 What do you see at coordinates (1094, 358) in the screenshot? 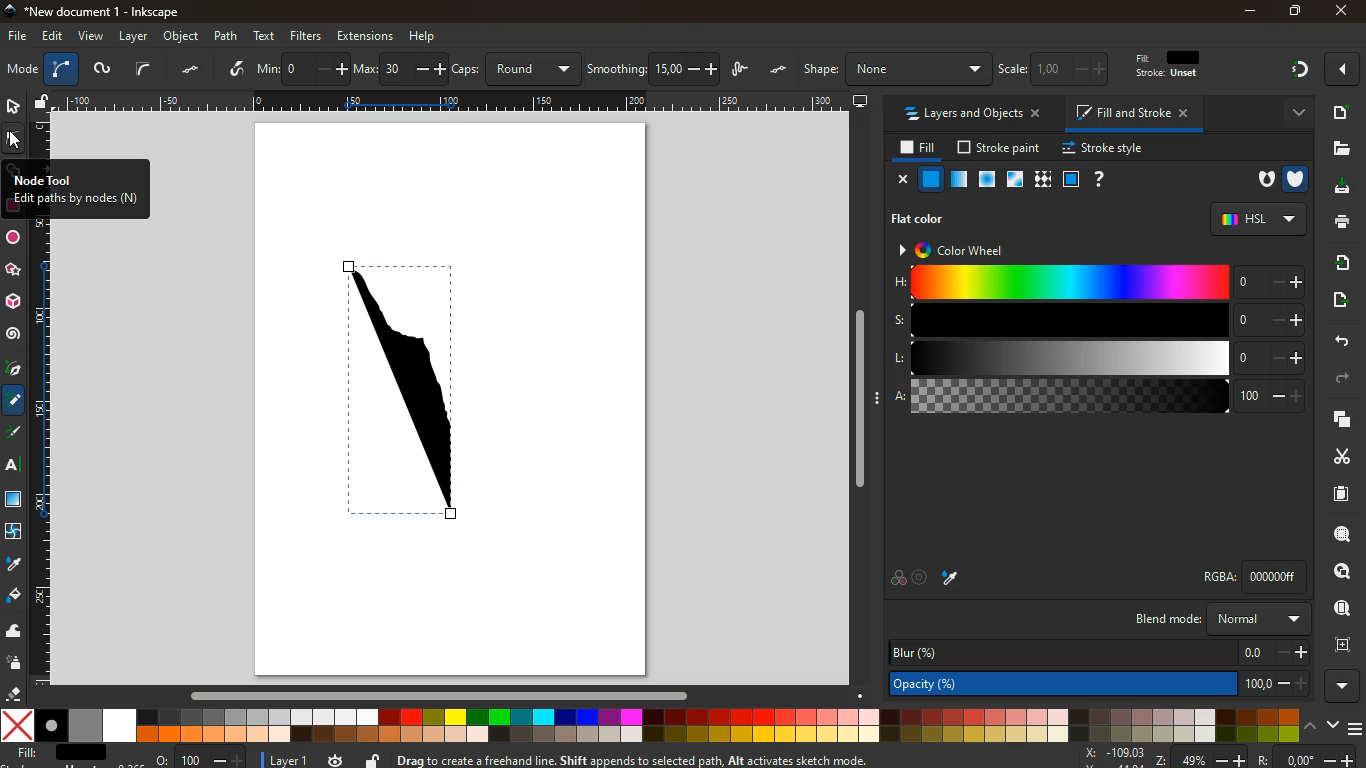
I see `l` at bounding box center [1094, 358].